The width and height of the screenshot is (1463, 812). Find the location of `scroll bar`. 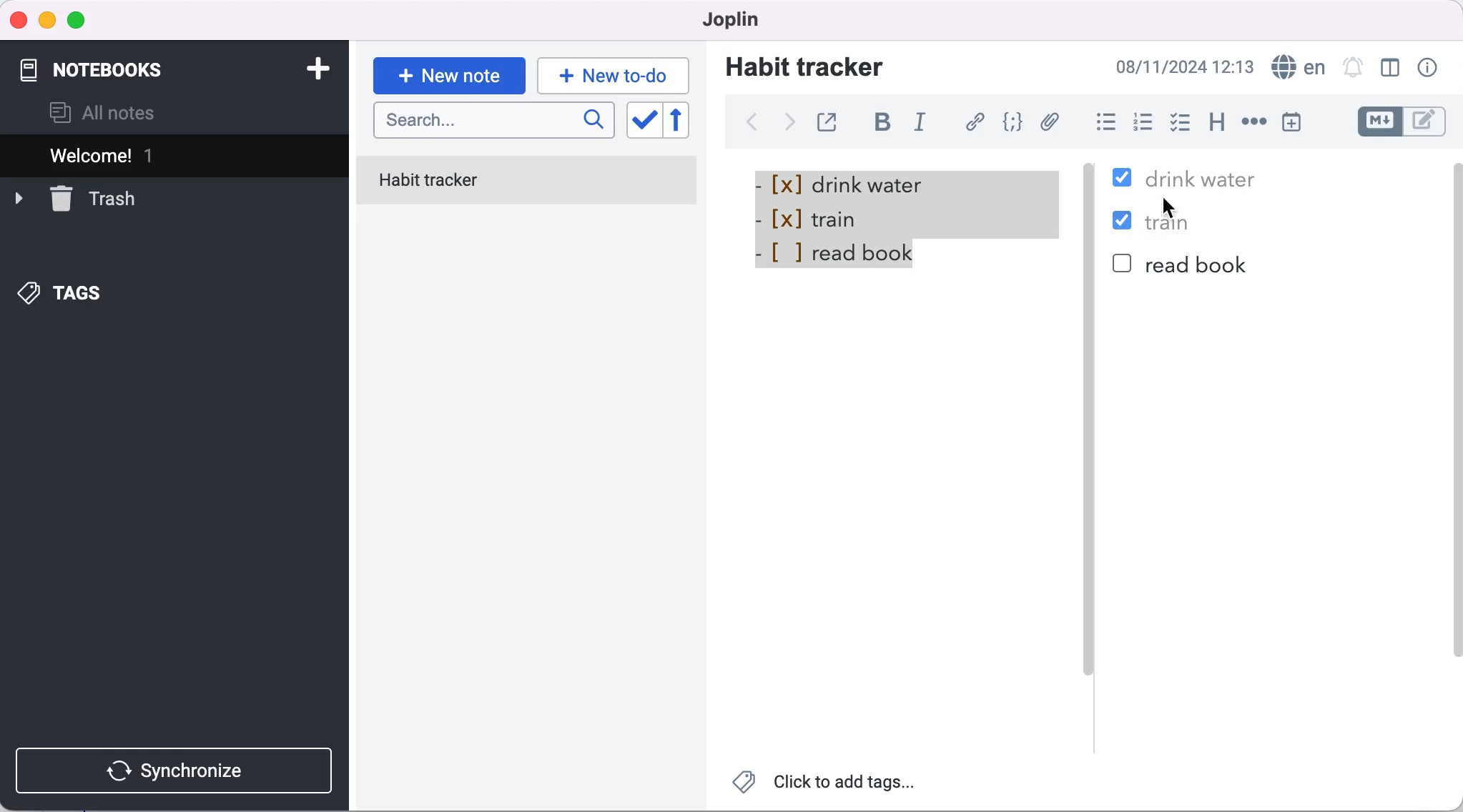

scroll bar is located at coordinates (1454, 442).